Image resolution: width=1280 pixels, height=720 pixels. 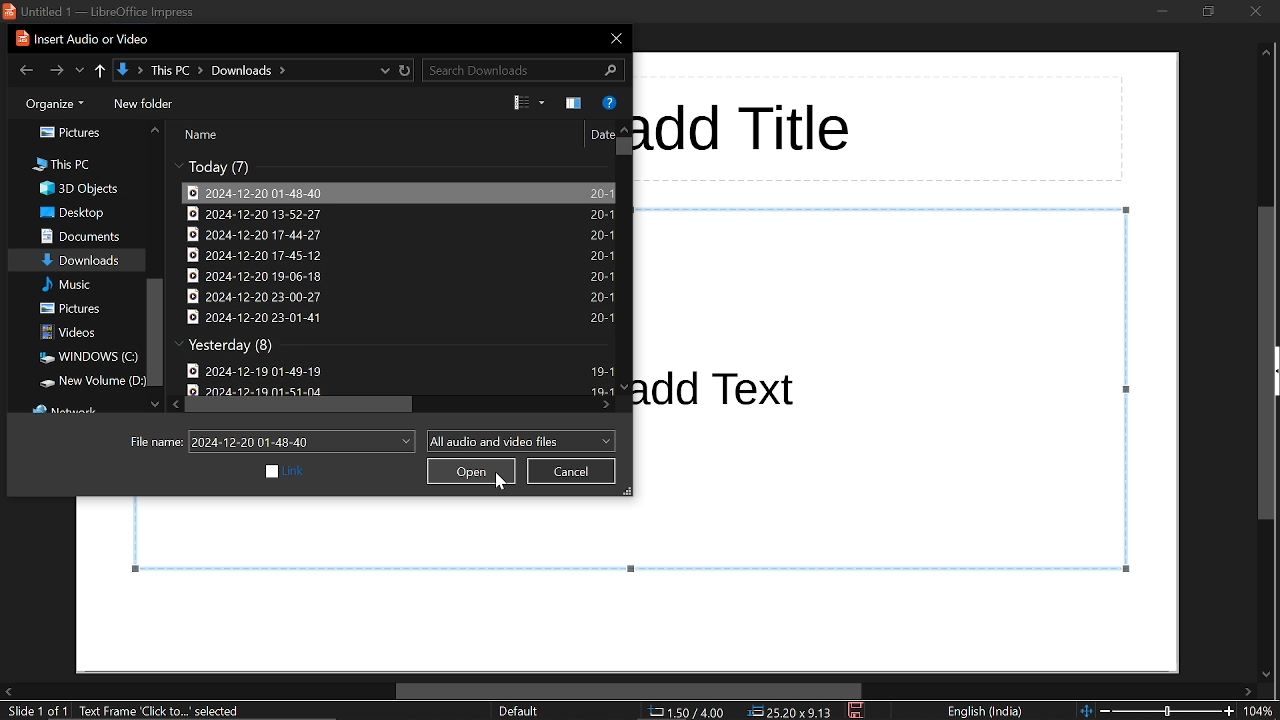 I want to click on files modified today, so click(x=219, y=167).